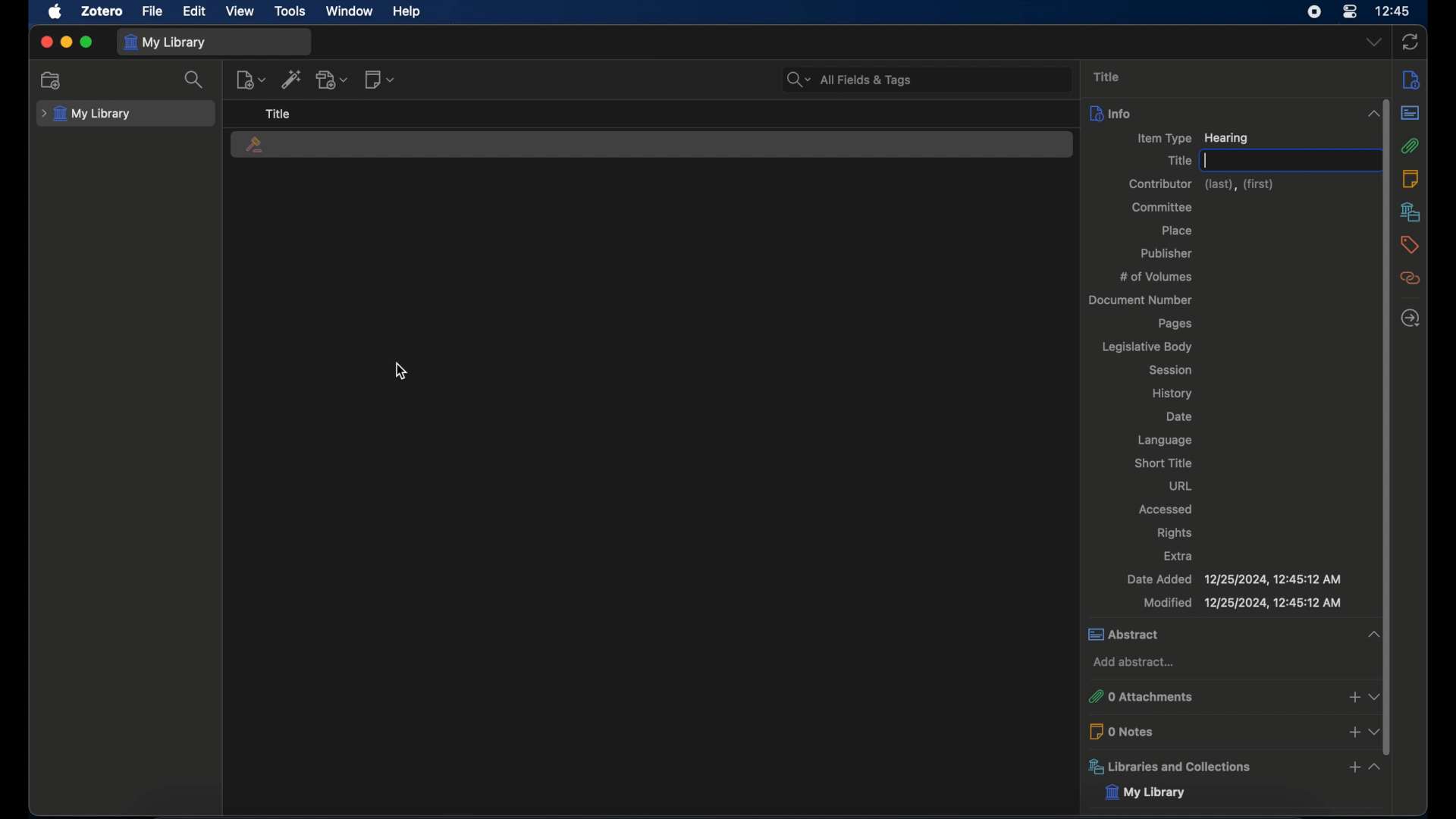  Describe the element at coordinates (1233, 698) in the screenshot. I see `0 attachments` at that location.